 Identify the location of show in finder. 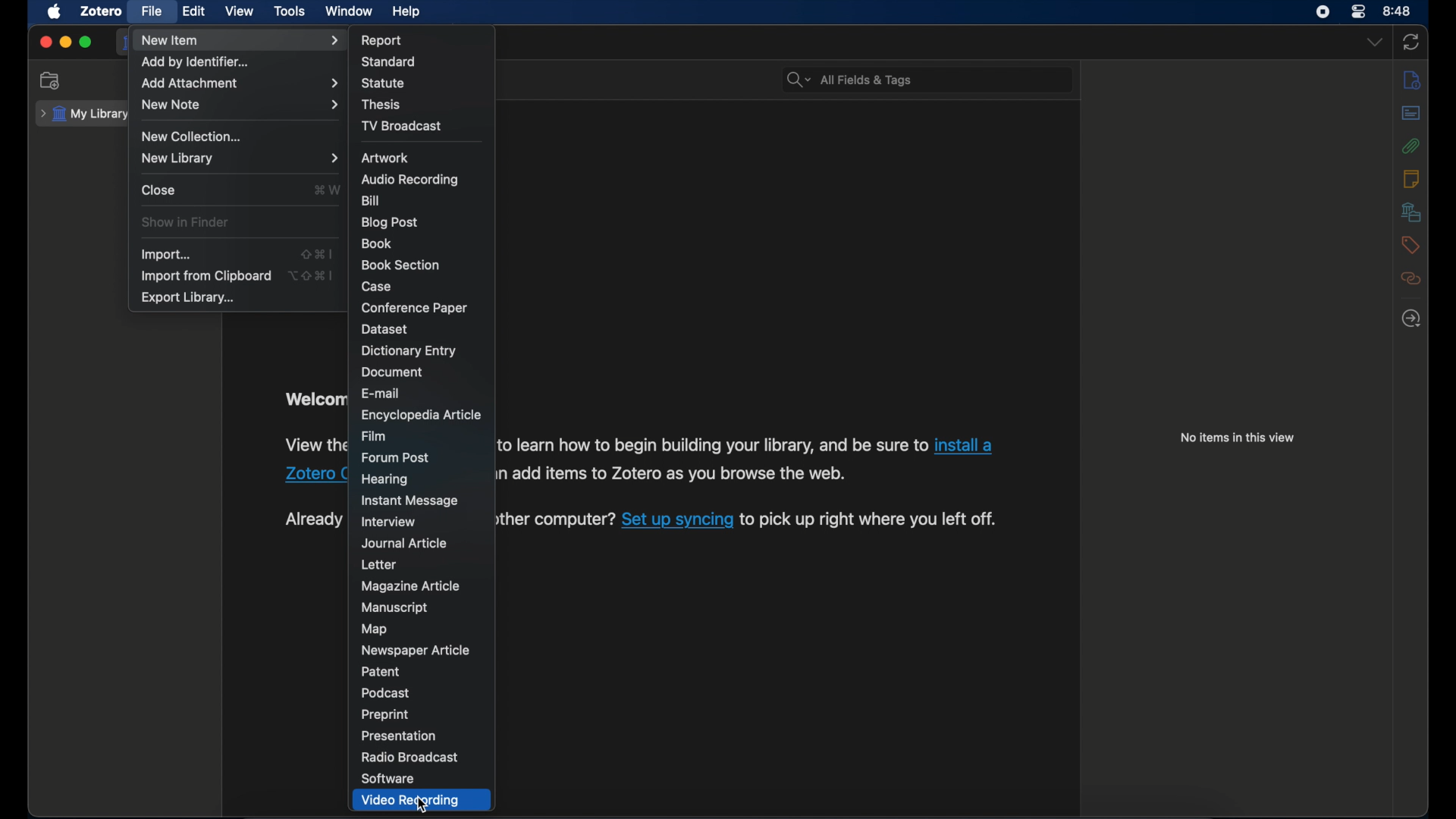
(185, 222).